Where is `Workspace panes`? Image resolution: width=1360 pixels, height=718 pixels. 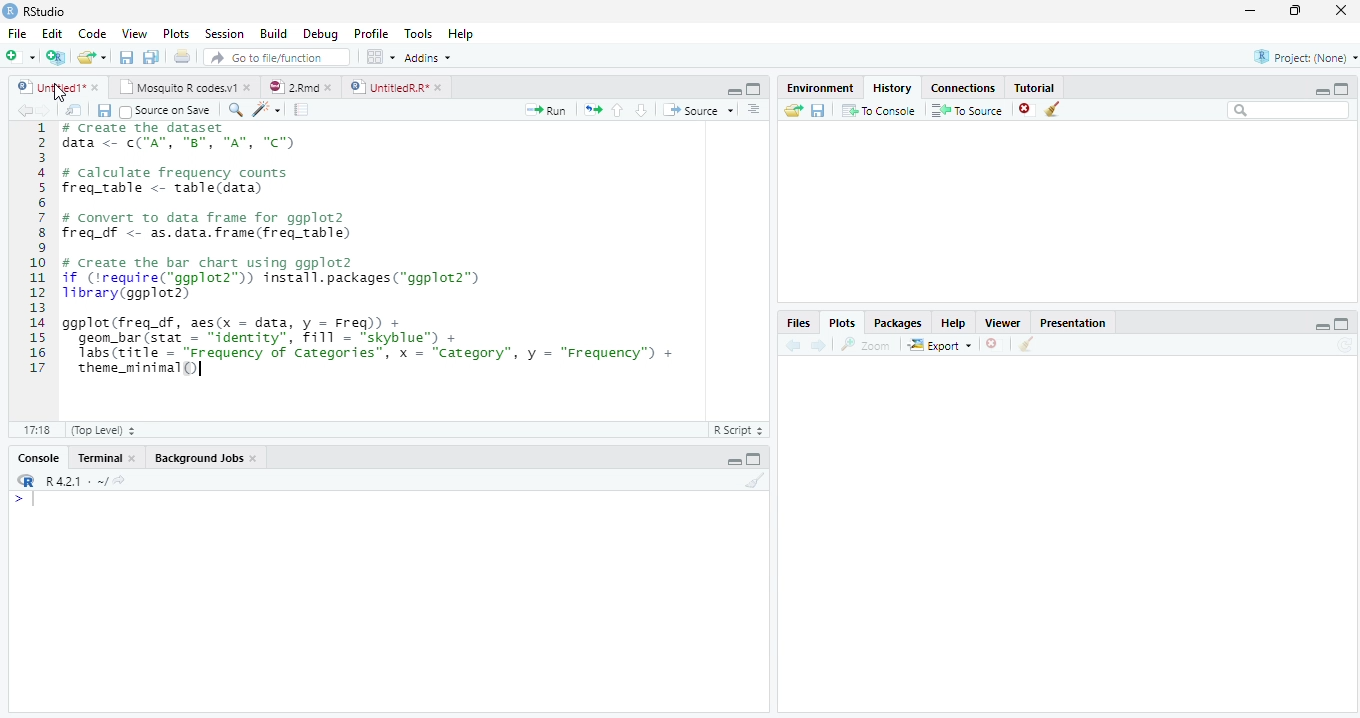
Workspace panes is located at coordinates (378, 57).